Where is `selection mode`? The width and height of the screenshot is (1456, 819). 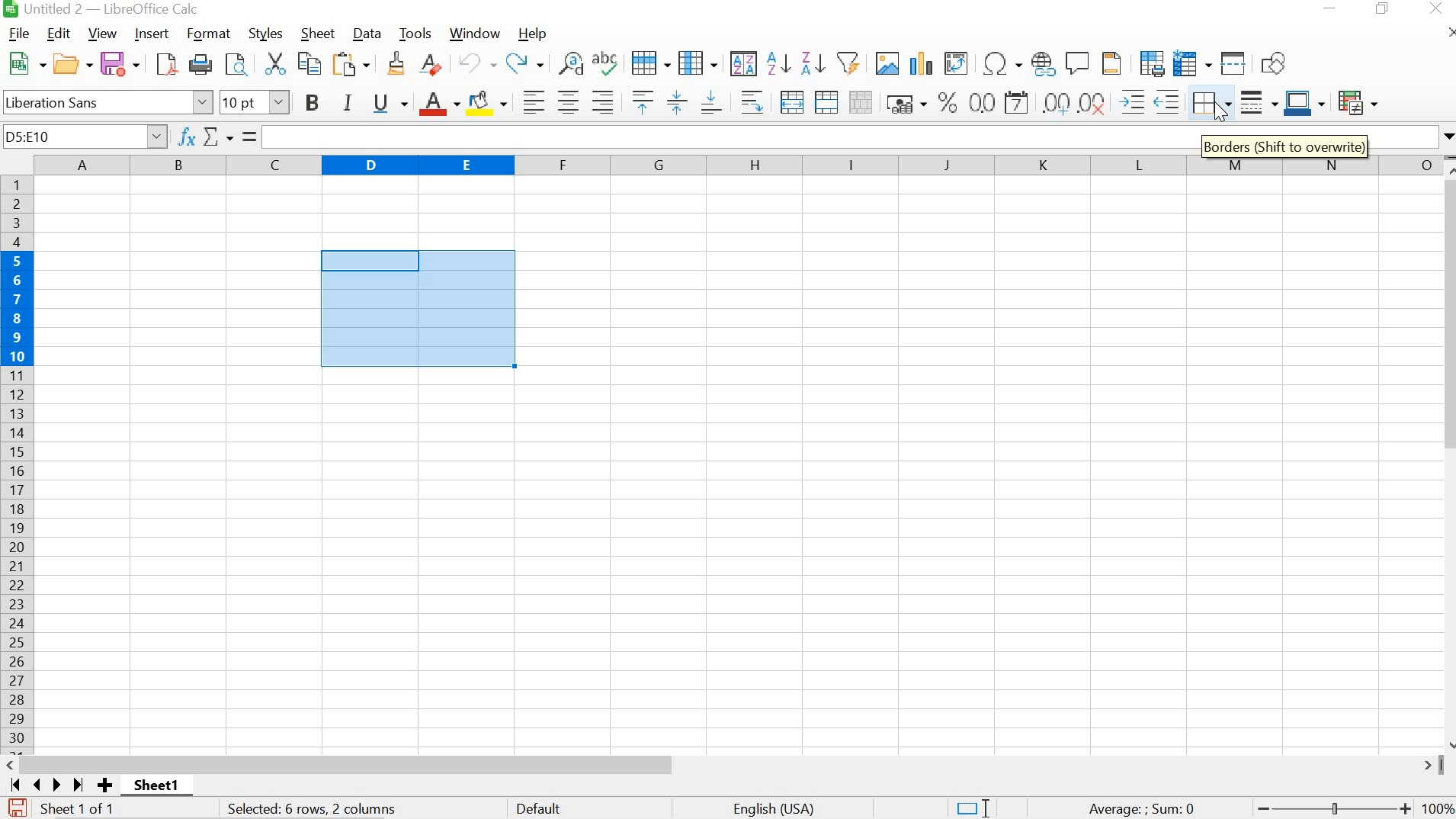 selection mode is located at coordinates (972, 808).